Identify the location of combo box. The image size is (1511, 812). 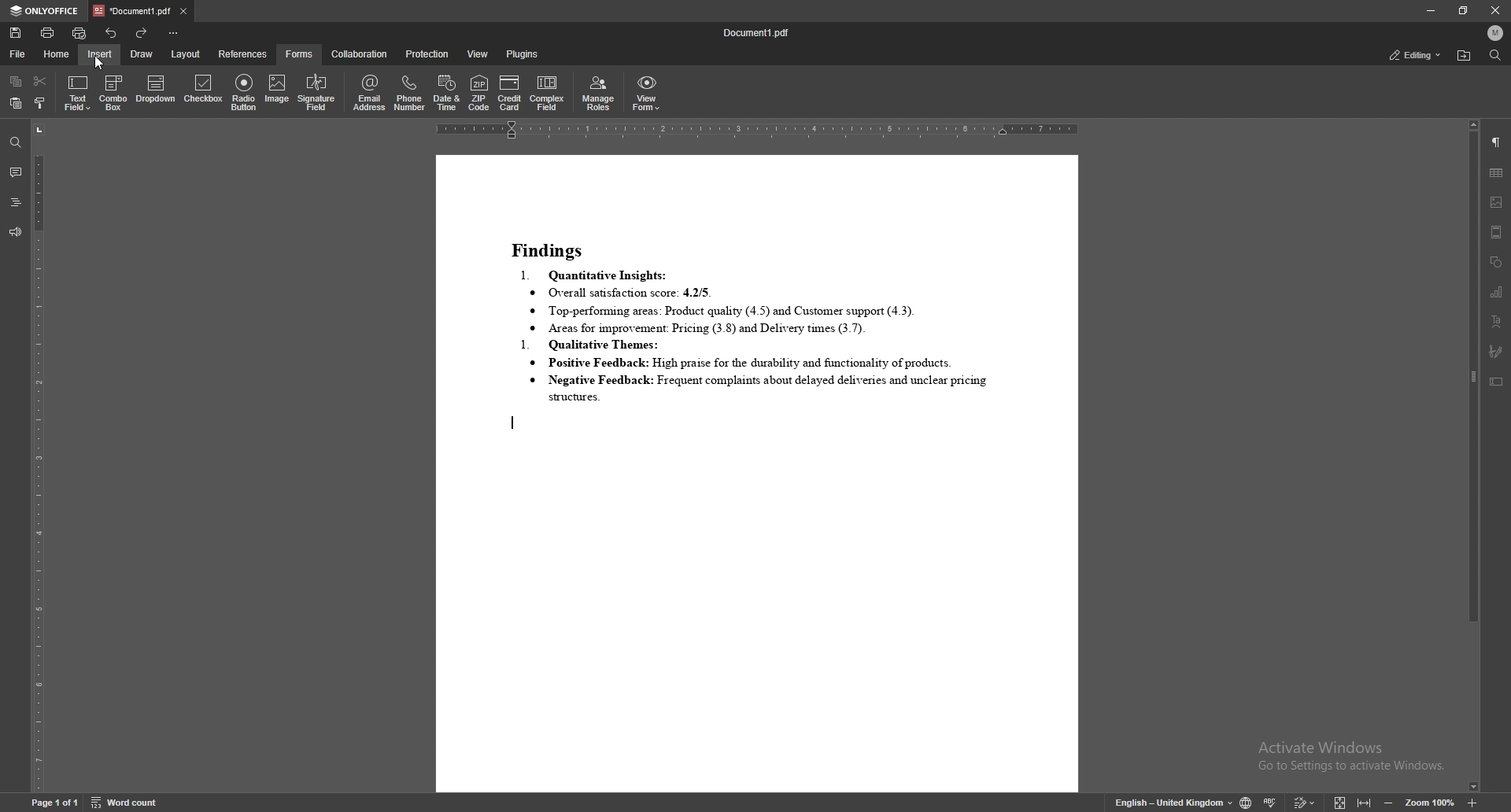
(113, 93).